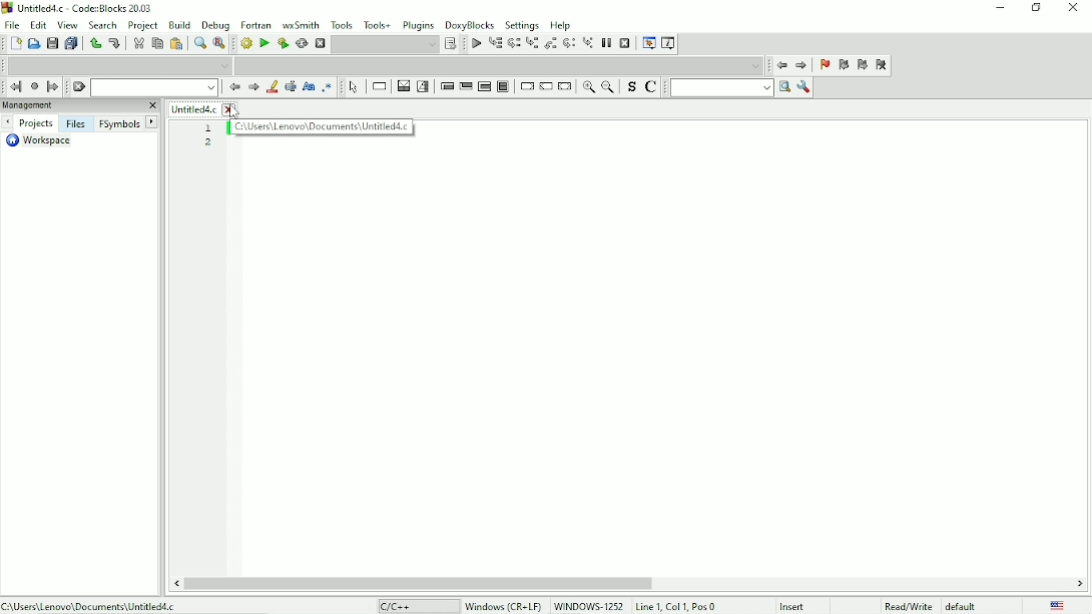 This screenshot has height=614, width=1092. What do you see at coordinates (465, 87) in the screenshot?
I see `Exit condition loop` at bounding box center [465, 87].